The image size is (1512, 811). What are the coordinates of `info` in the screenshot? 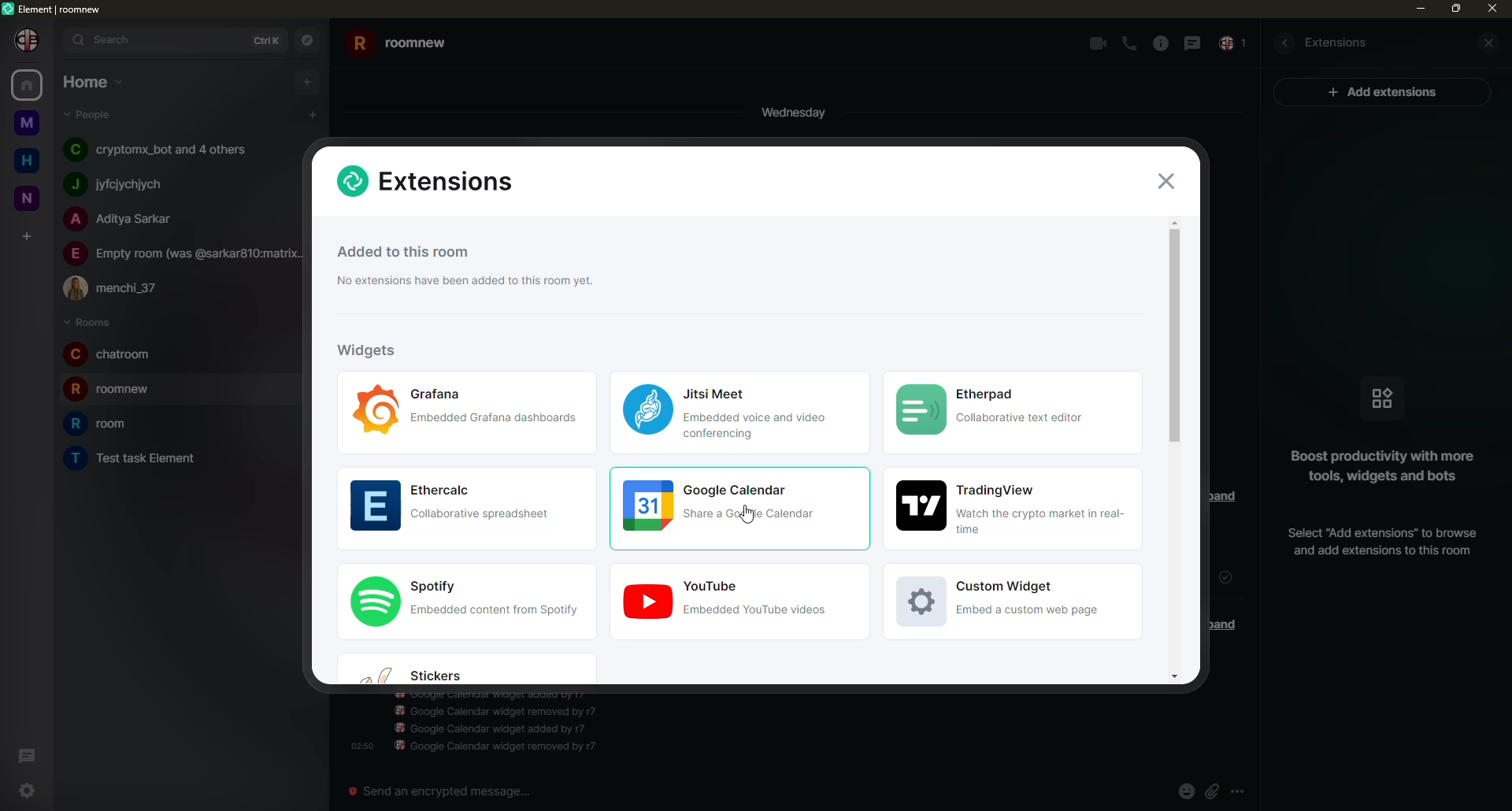 It's located at (1380, 466).